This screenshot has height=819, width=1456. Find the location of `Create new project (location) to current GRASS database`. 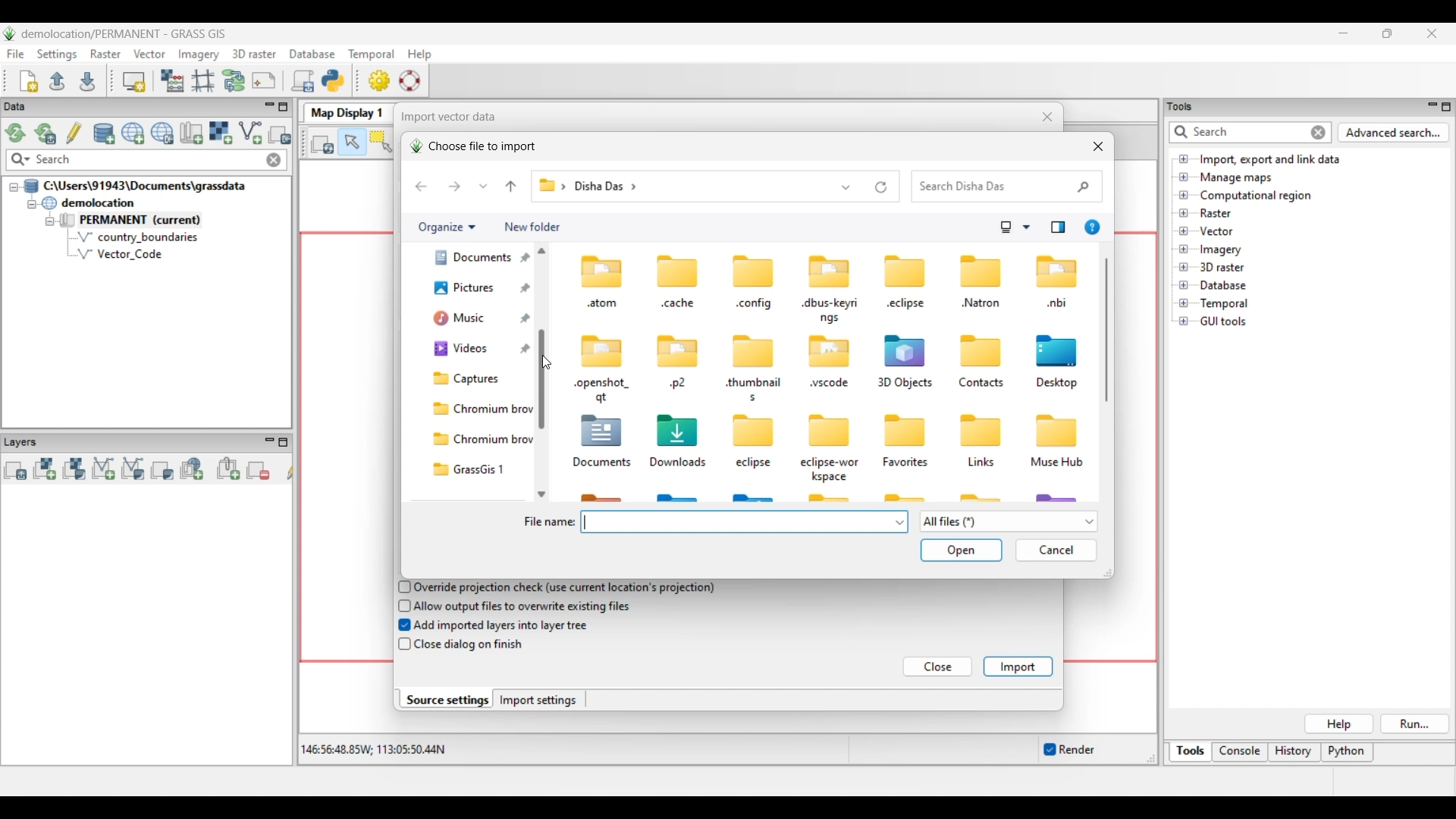

Create new project (location) to current GRASS database is located at coordinates (133, 133).